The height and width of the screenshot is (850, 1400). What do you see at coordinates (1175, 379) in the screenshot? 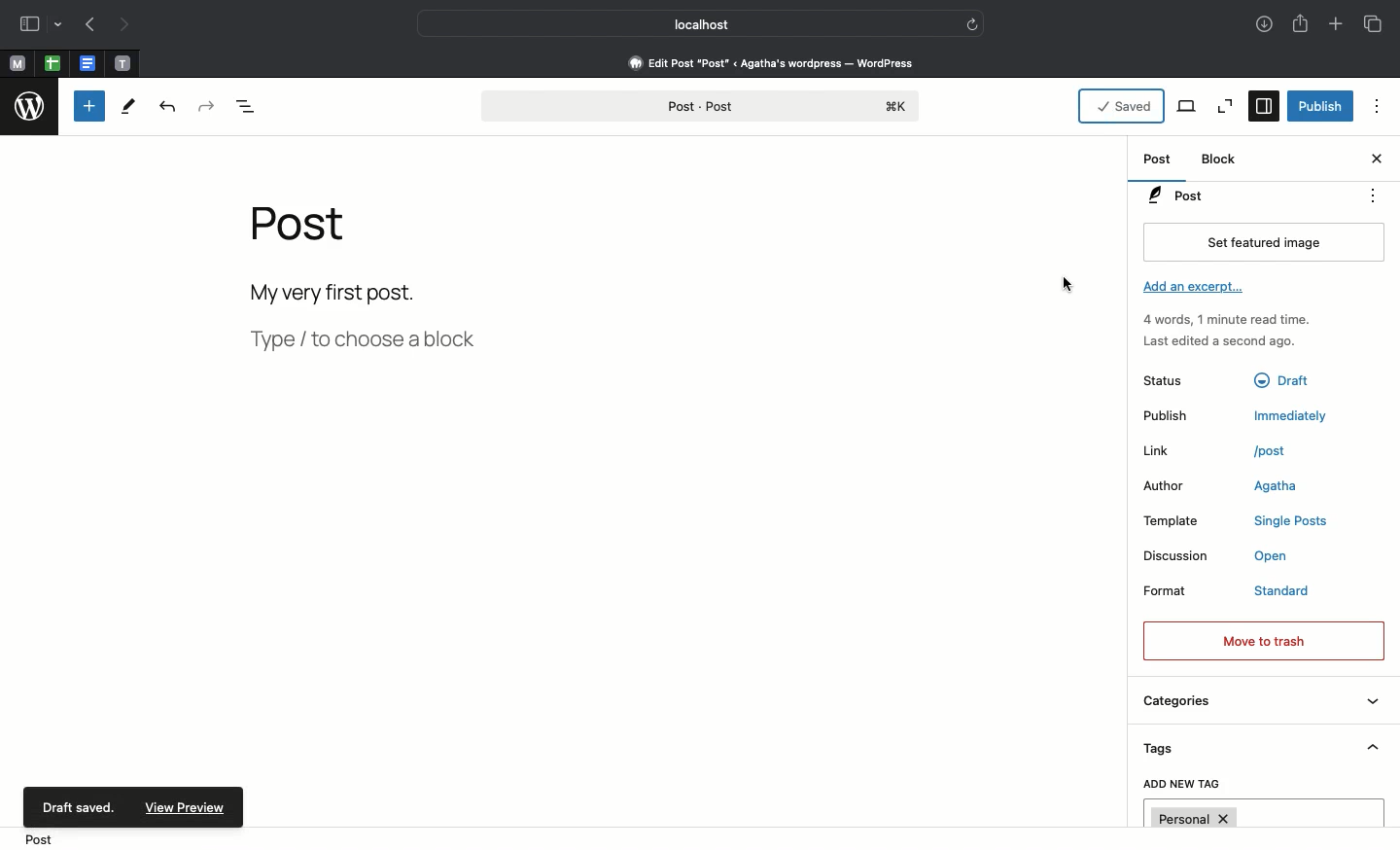
I see `Status` at bounding box center [1175, 379].